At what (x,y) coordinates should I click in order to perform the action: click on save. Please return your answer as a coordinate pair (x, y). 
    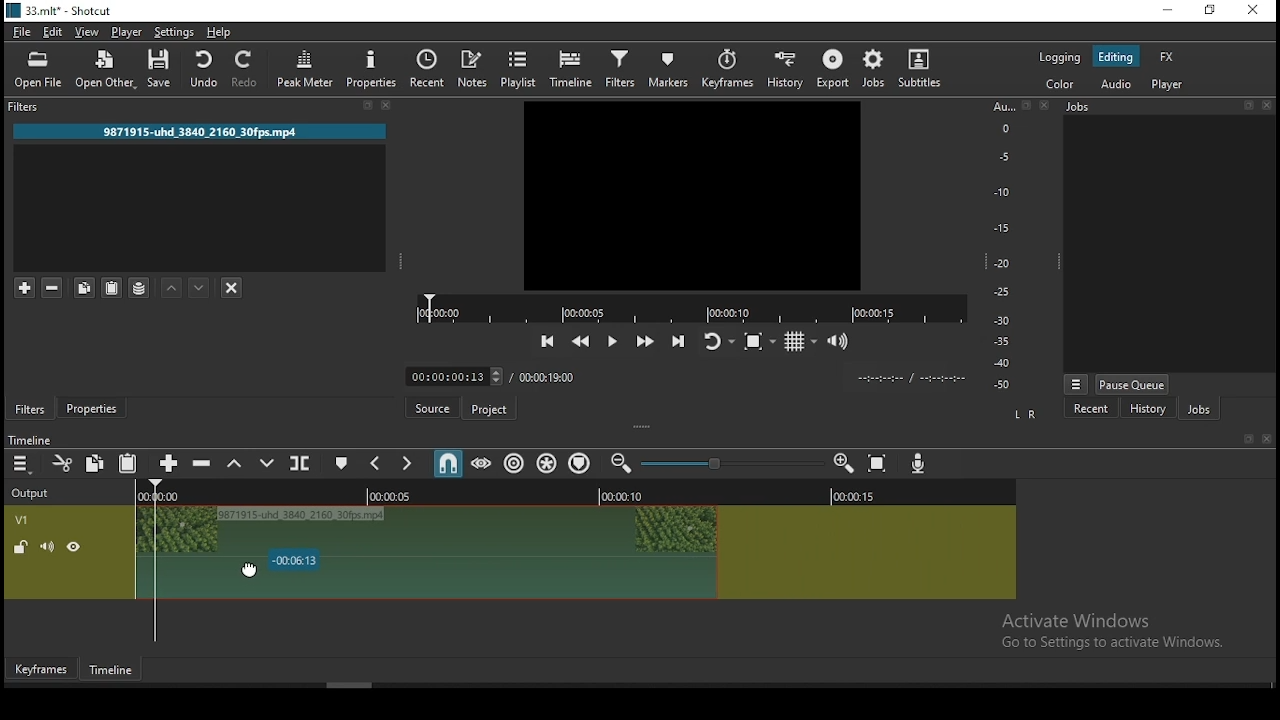
    Looking at the image, I should click on (164, 70).